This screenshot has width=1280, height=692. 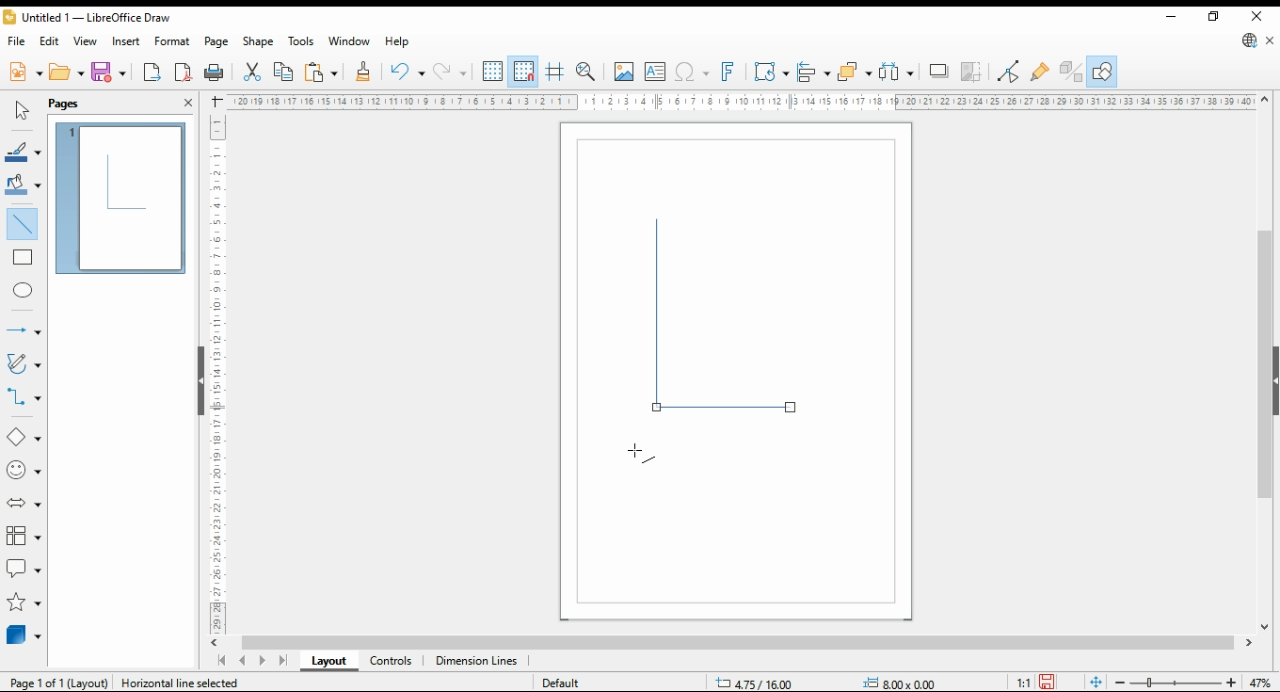 I want to click on zoom slider, so click(x=1176, y=684).